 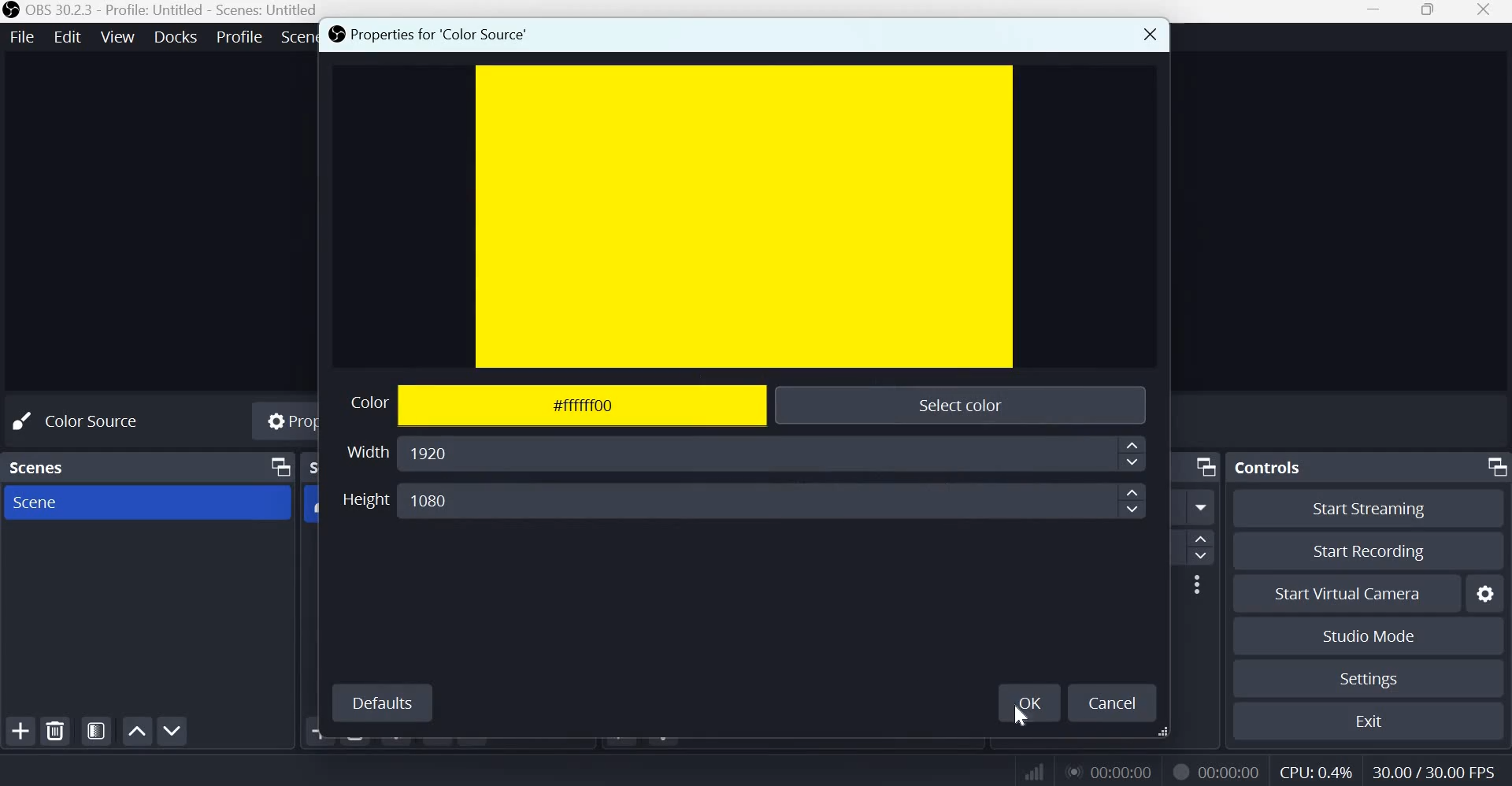 What do you see at coordinates (173, 11) in the screenshot?
I see `OBS 30.2.3 - Profile: Untitled - Scenes: Untitled` at bounding box center [173, 11].